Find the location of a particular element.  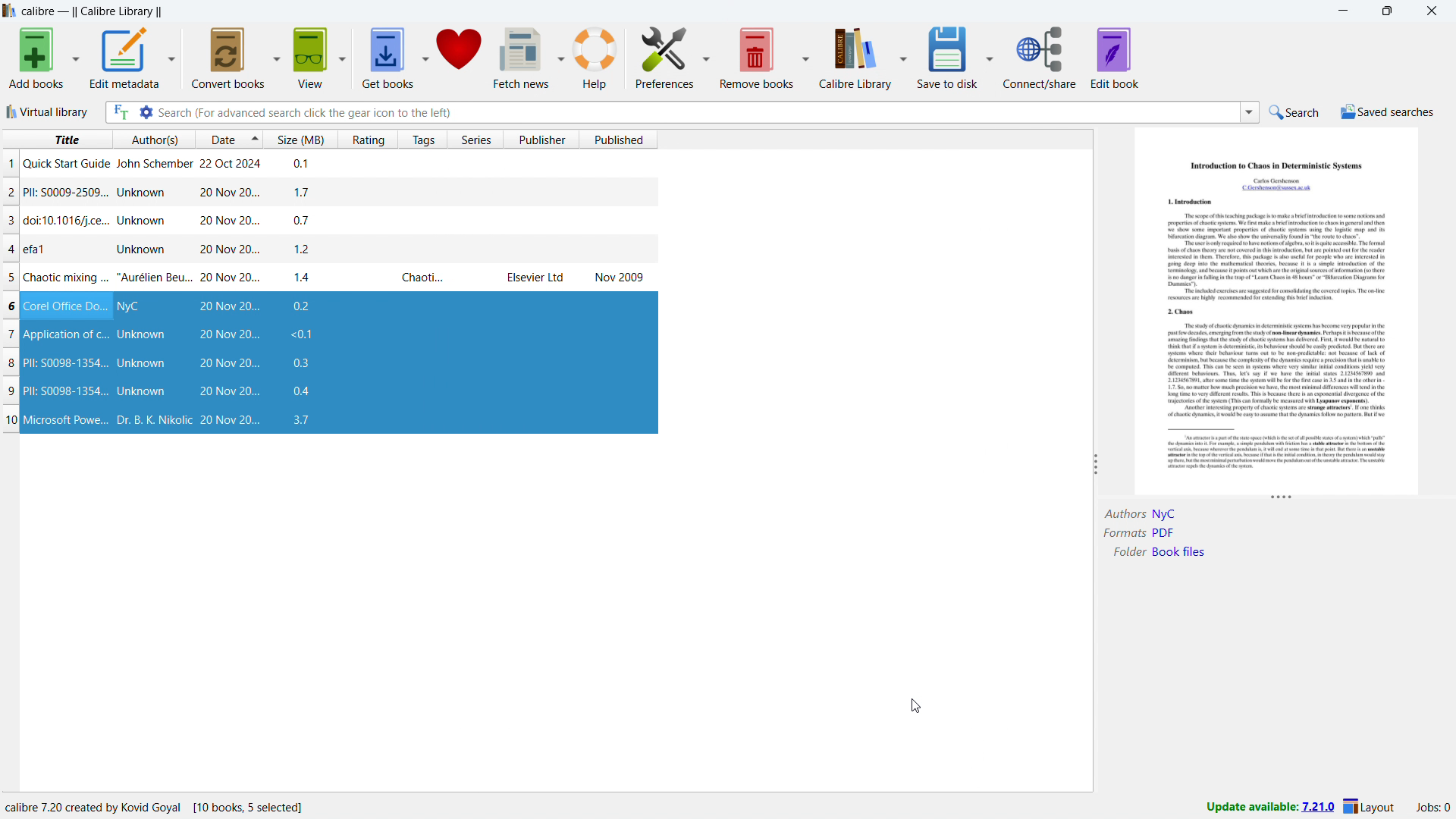

help is located at coordinates (595, 60).